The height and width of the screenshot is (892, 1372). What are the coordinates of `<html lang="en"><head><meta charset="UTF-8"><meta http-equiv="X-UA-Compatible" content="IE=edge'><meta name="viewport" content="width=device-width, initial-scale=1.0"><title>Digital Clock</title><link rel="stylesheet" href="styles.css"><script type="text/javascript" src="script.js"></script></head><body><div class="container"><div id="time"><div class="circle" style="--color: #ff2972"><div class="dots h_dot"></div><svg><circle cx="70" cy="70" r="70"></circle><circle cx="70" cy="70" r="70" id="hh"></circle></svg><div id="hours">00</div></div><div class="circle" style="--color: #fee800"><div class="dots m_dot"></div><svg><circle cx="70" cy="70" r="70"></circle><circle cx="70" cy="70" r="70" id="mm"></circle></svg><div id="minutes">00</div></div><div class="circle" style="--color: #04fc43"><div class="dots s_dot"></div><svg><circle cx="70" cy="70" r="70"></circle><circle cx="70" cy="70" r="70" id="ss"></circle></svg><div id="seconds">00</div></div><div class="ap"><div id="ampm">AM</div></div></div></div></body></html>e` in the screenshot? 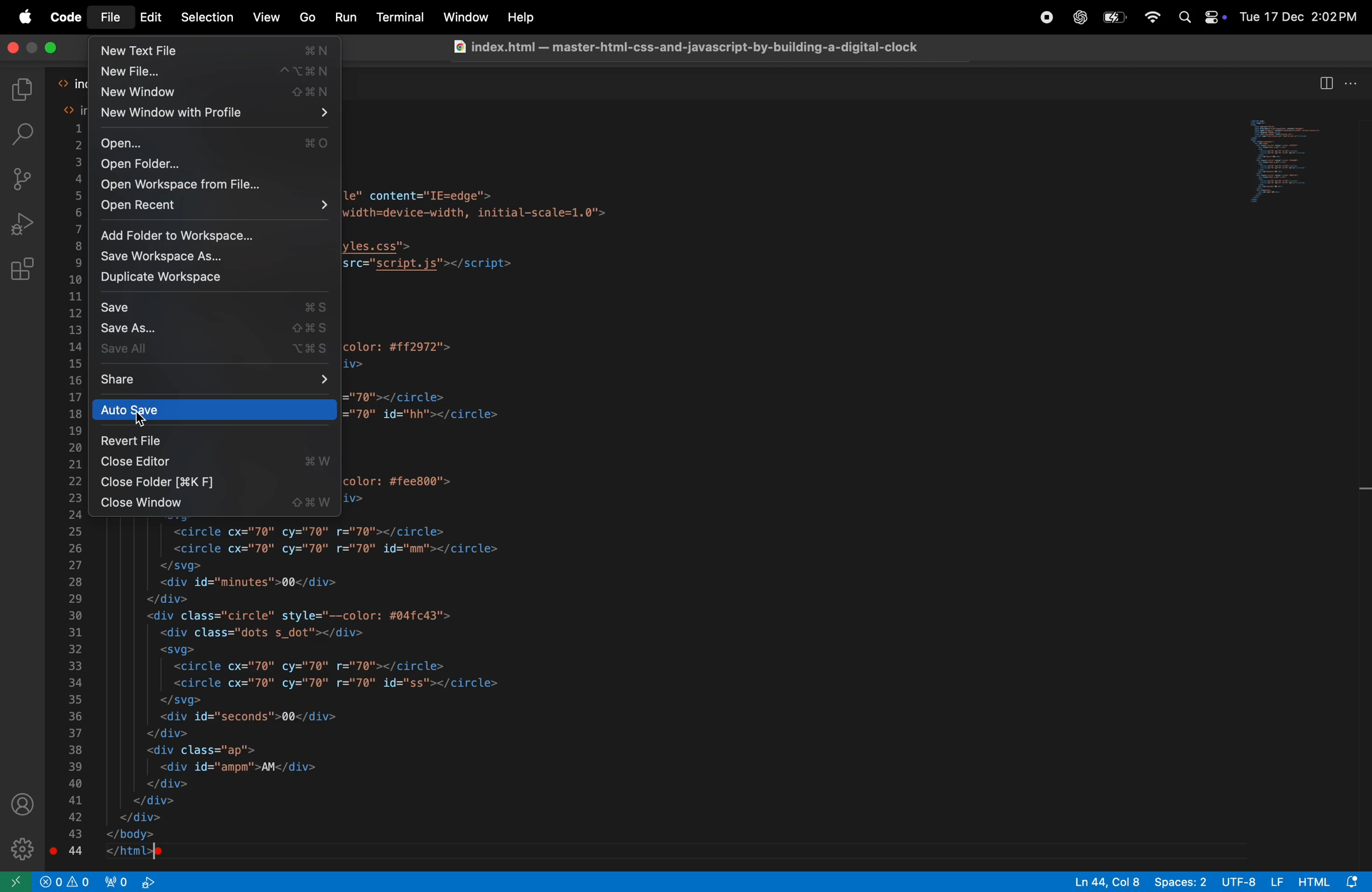 It's located at (307, 692).